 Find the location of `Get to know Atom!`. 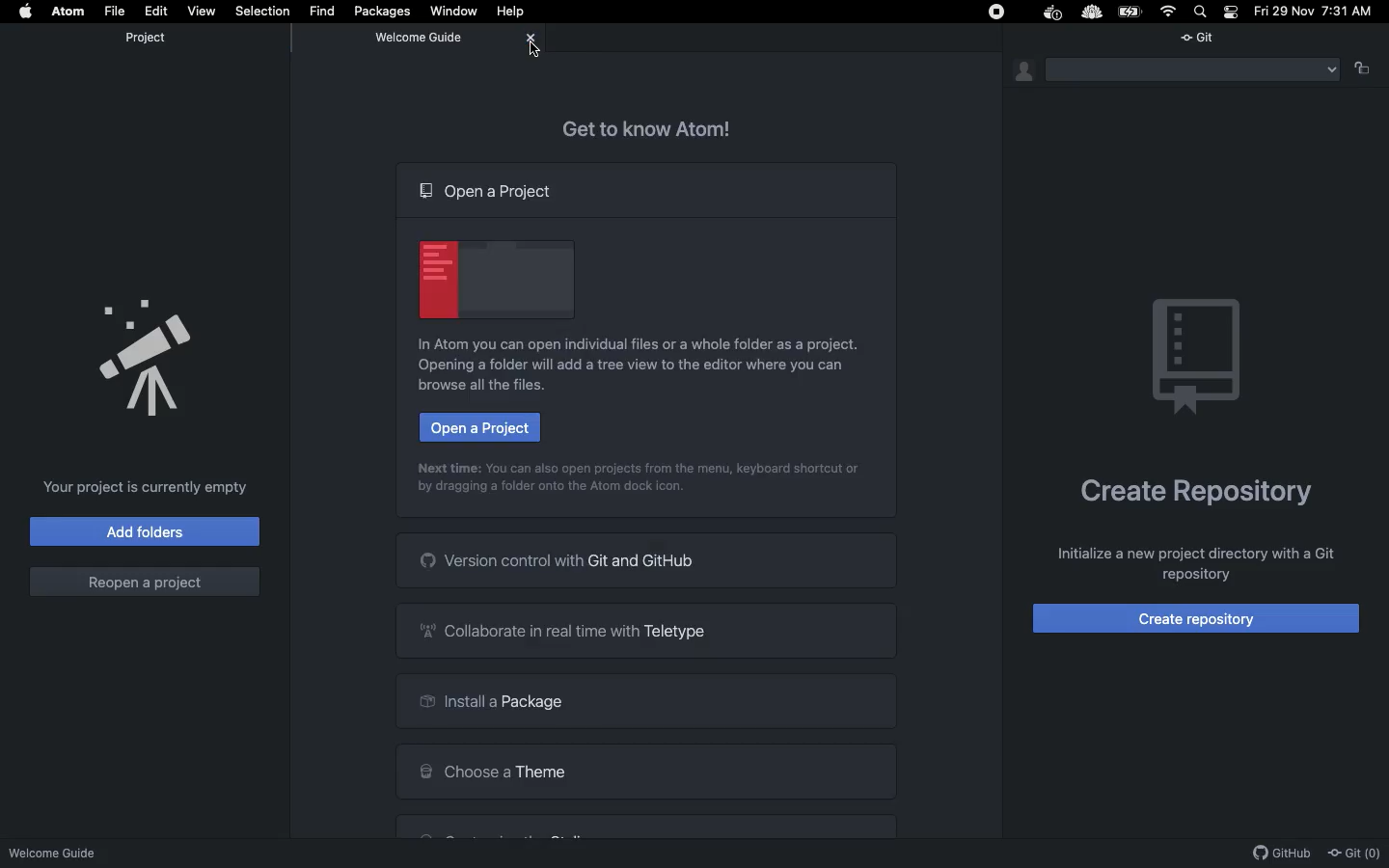

Get to know Atom! is located at coordinates (655, 128).